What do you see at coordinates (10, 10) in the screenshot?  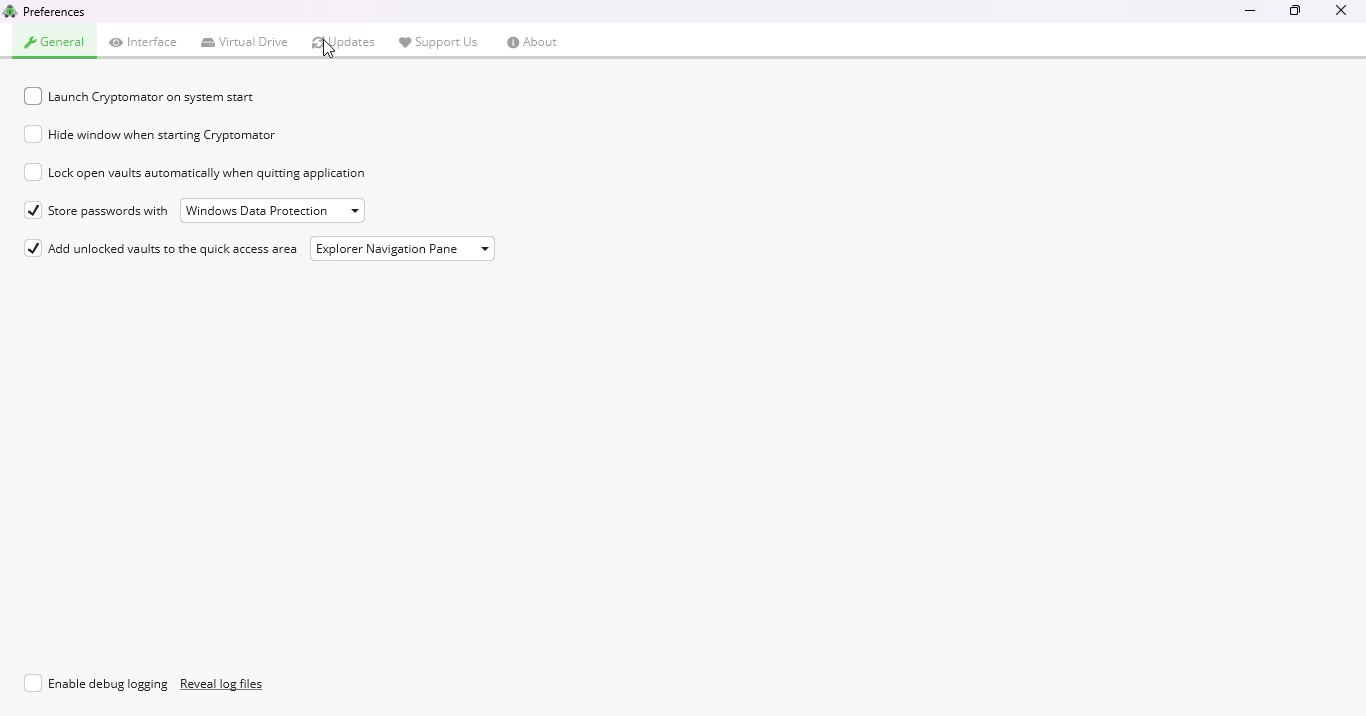 I see `logo` at bounding box center [10, 10].